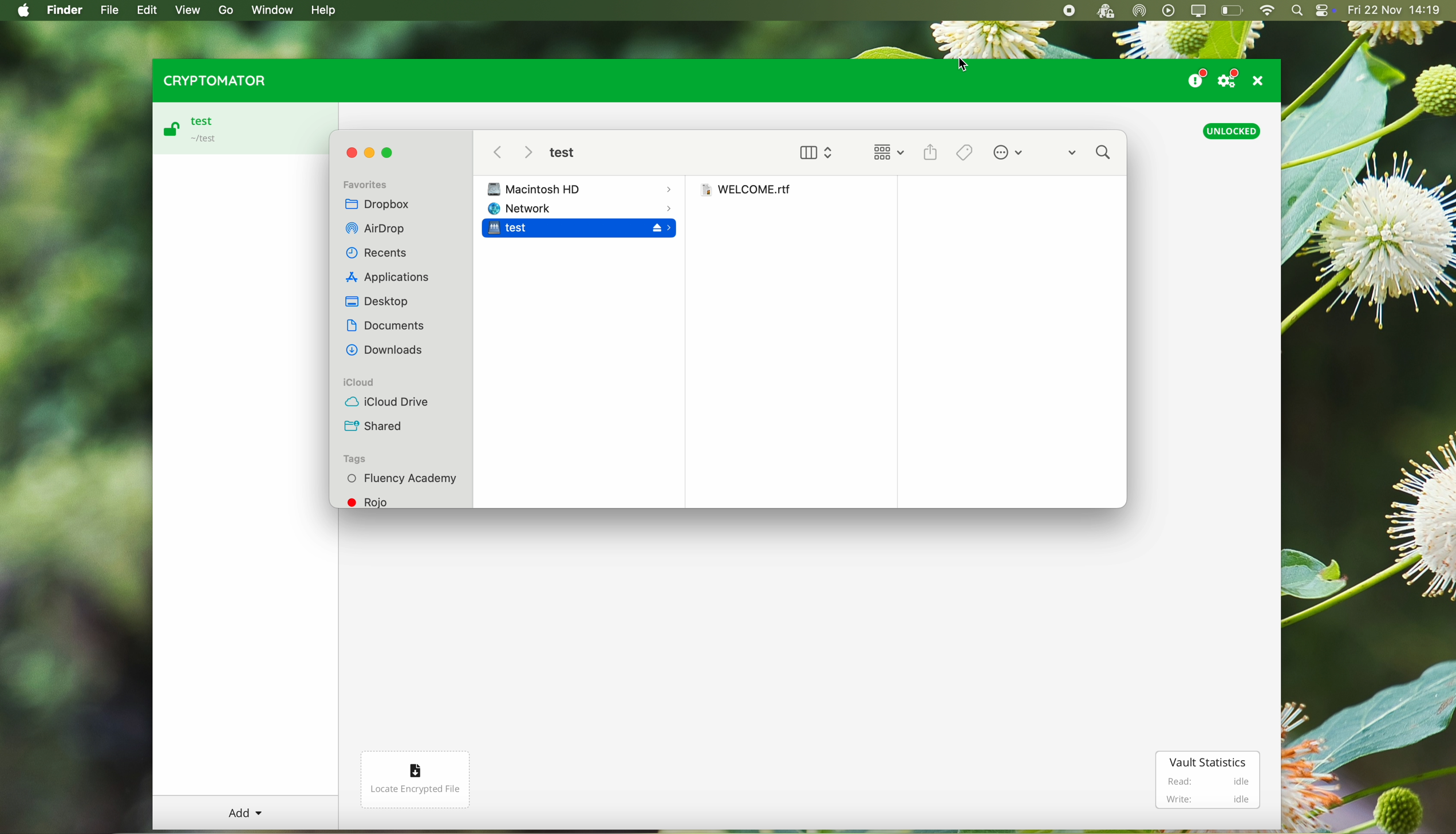 The width and height of the screenshot is (1456, 834). What do you see at coordinates (885, 154) in the screenshot?
I see `grid view` at bounding box center [885, 154].